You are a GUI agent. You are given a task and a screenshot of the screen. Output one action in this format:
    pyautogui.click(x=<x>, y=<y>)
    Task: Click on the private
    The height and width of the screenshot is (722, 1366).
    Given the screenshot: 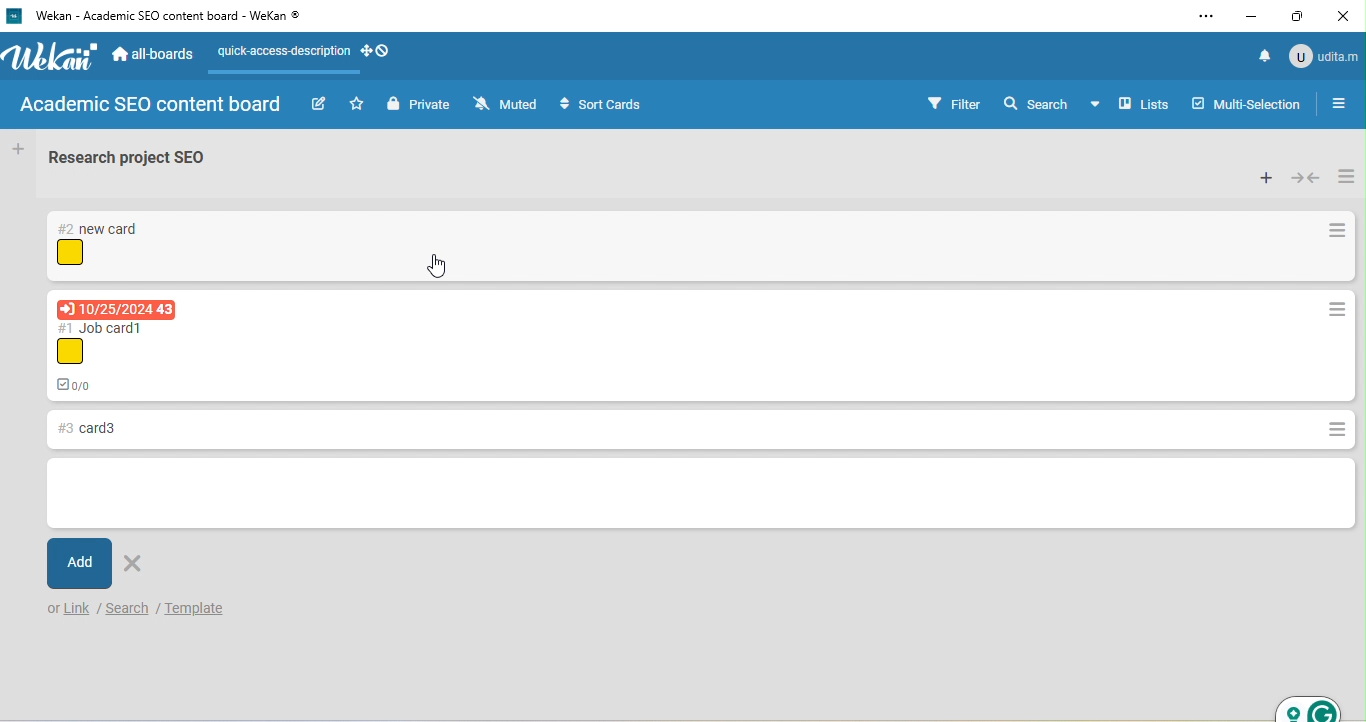 What is the action you would take?
    pyautogui.click(x=419, y=106)
    